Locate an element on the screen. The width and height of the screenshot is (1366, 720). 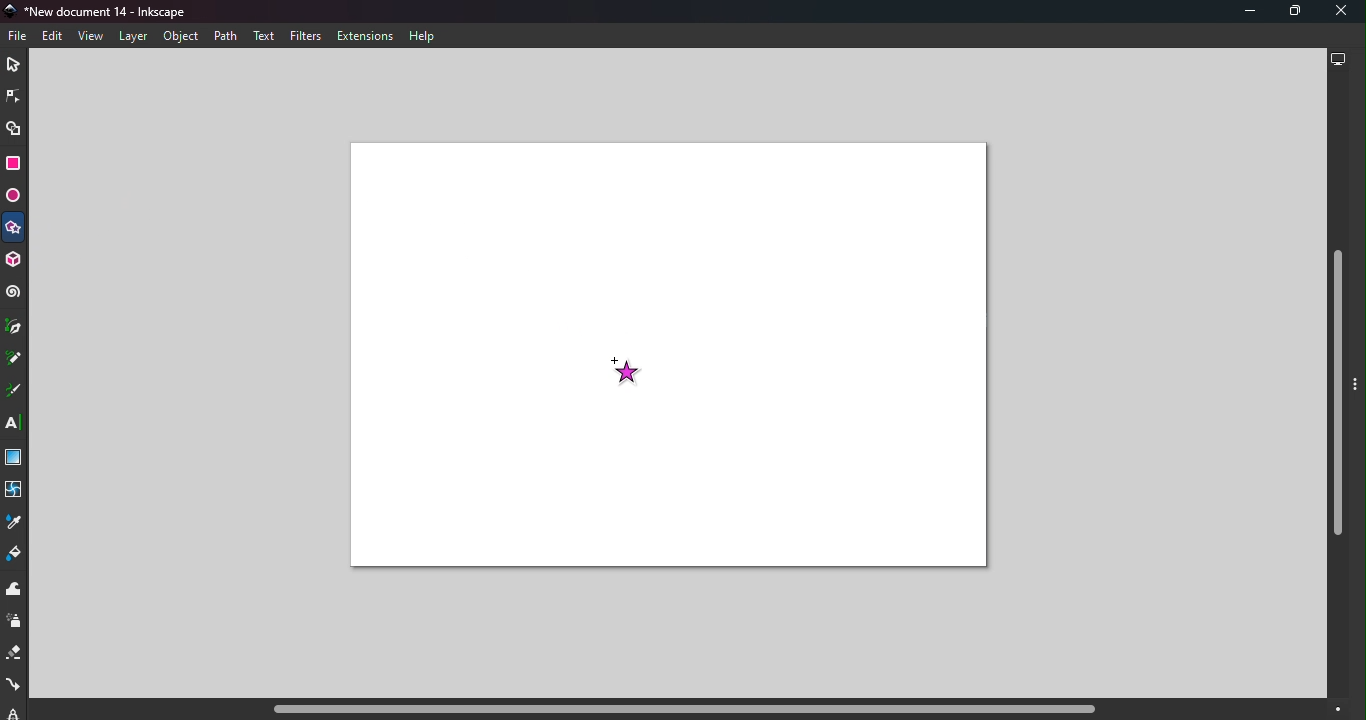
Minimize  is located at coordinates (1241, 12).